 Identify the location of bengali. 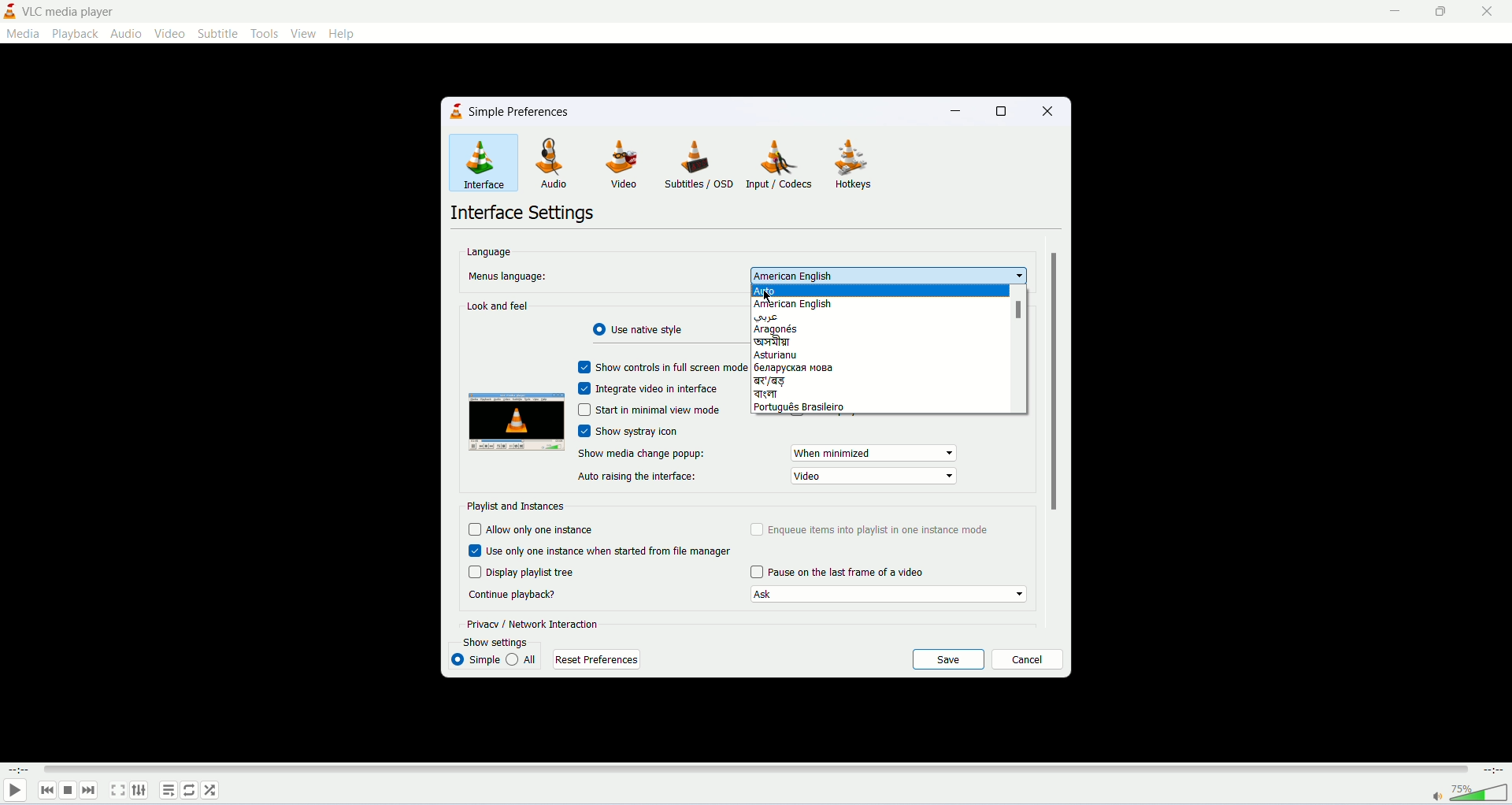
(881, 393).